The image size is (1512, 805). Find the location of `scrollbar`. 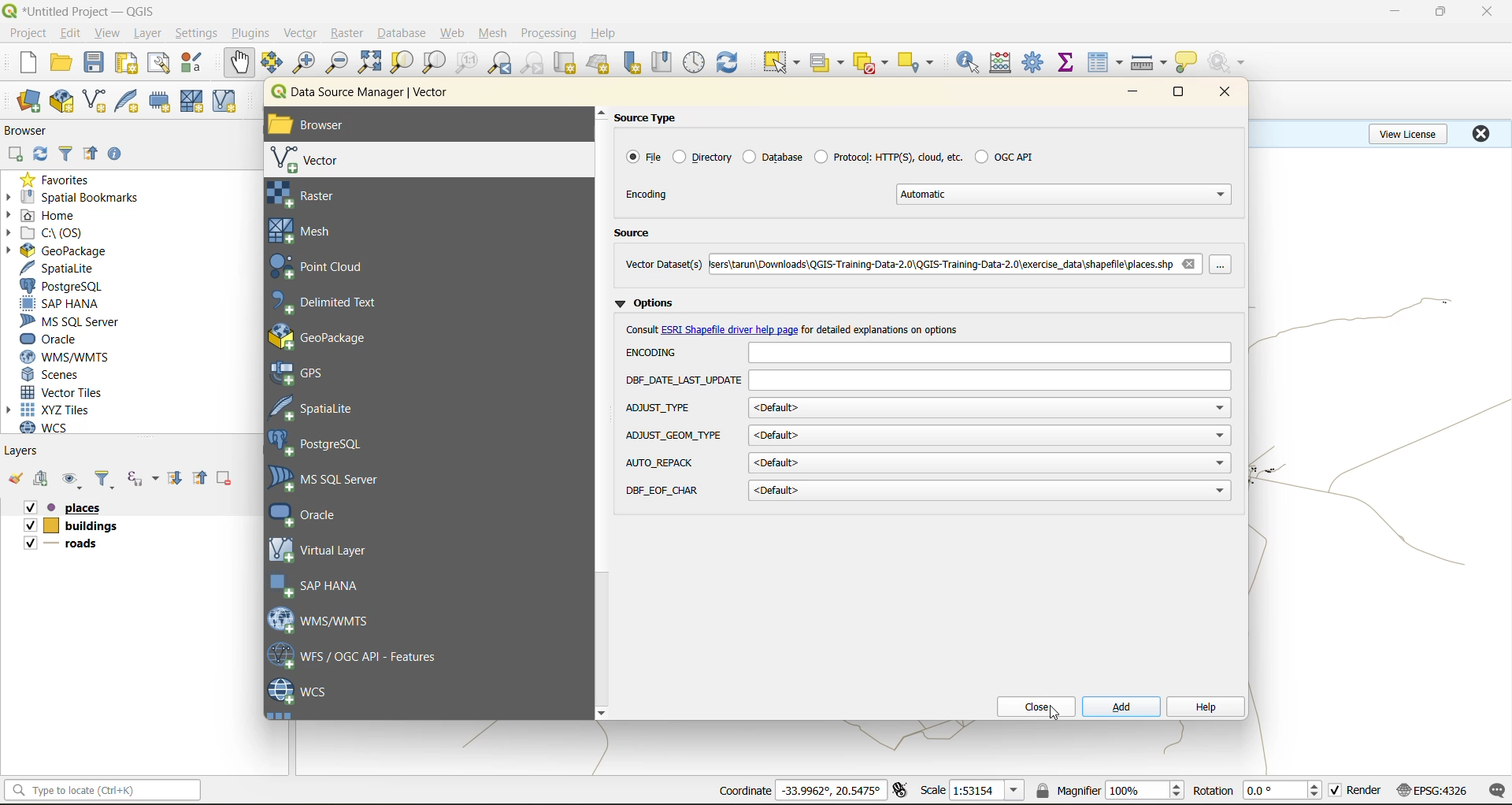

scrollbar is located at coordinates (602, 413).